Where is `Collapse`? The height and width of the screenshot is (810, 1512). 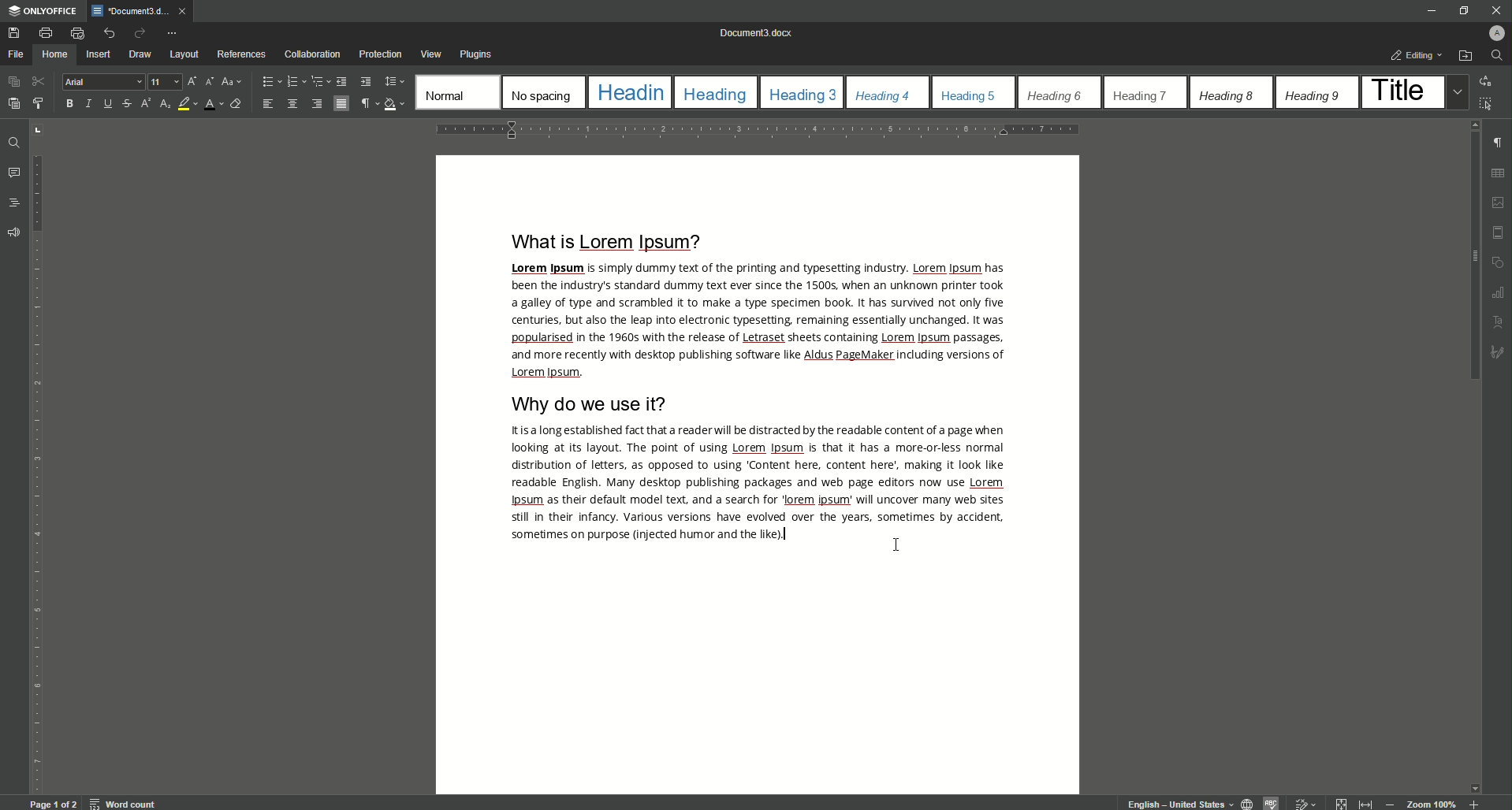 Collapse is located at coordinates (1339, 803).